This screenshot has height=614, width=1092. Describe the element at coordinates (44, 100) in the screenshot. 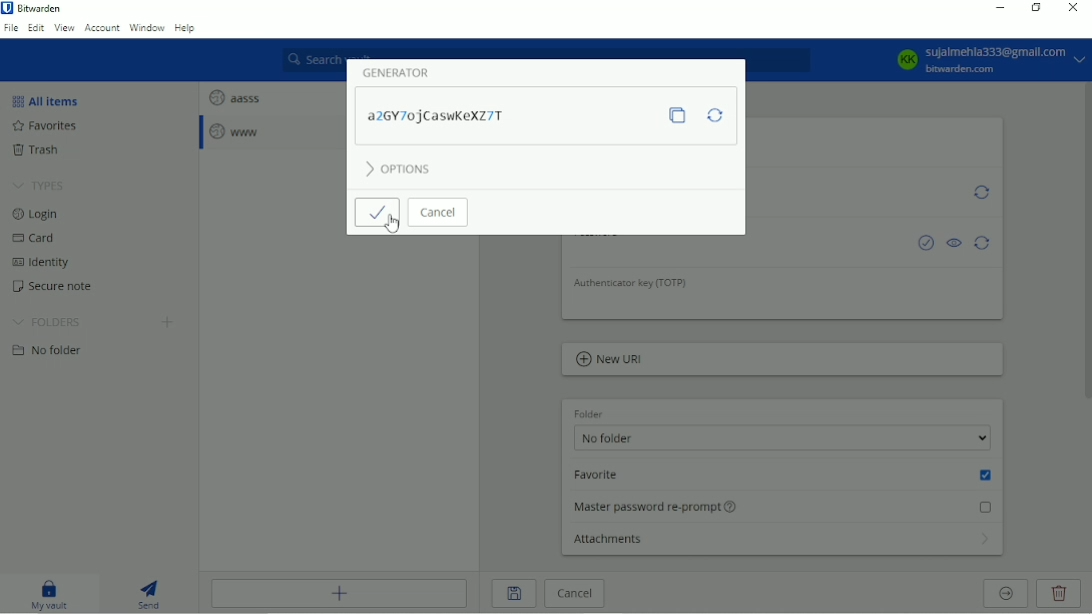

I see `All items` at that location.